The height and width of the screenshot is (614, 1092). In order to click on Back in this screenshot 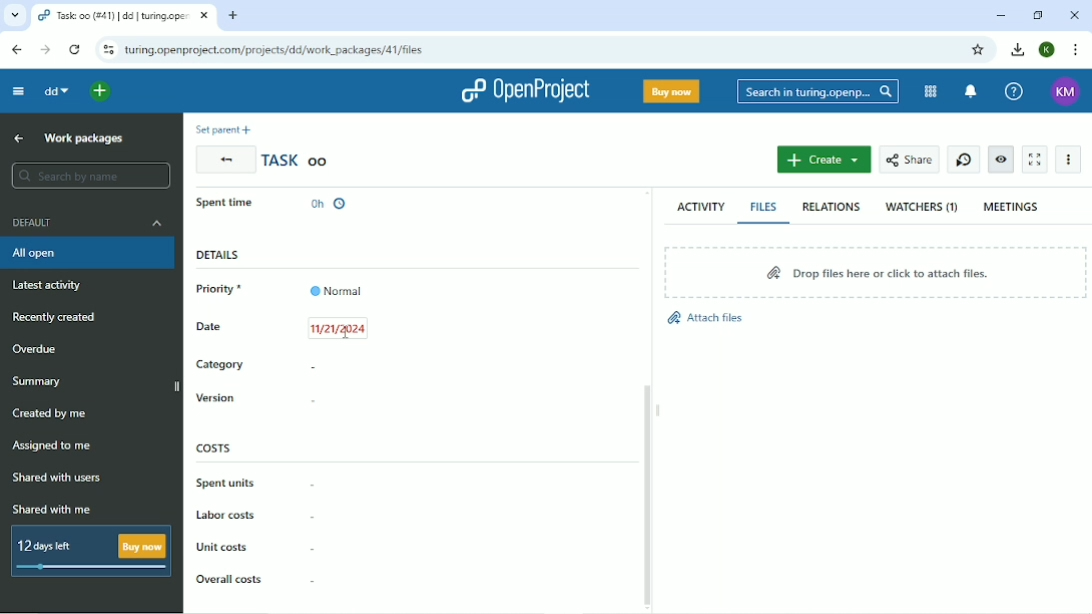, I will do `click(224, 160)`.